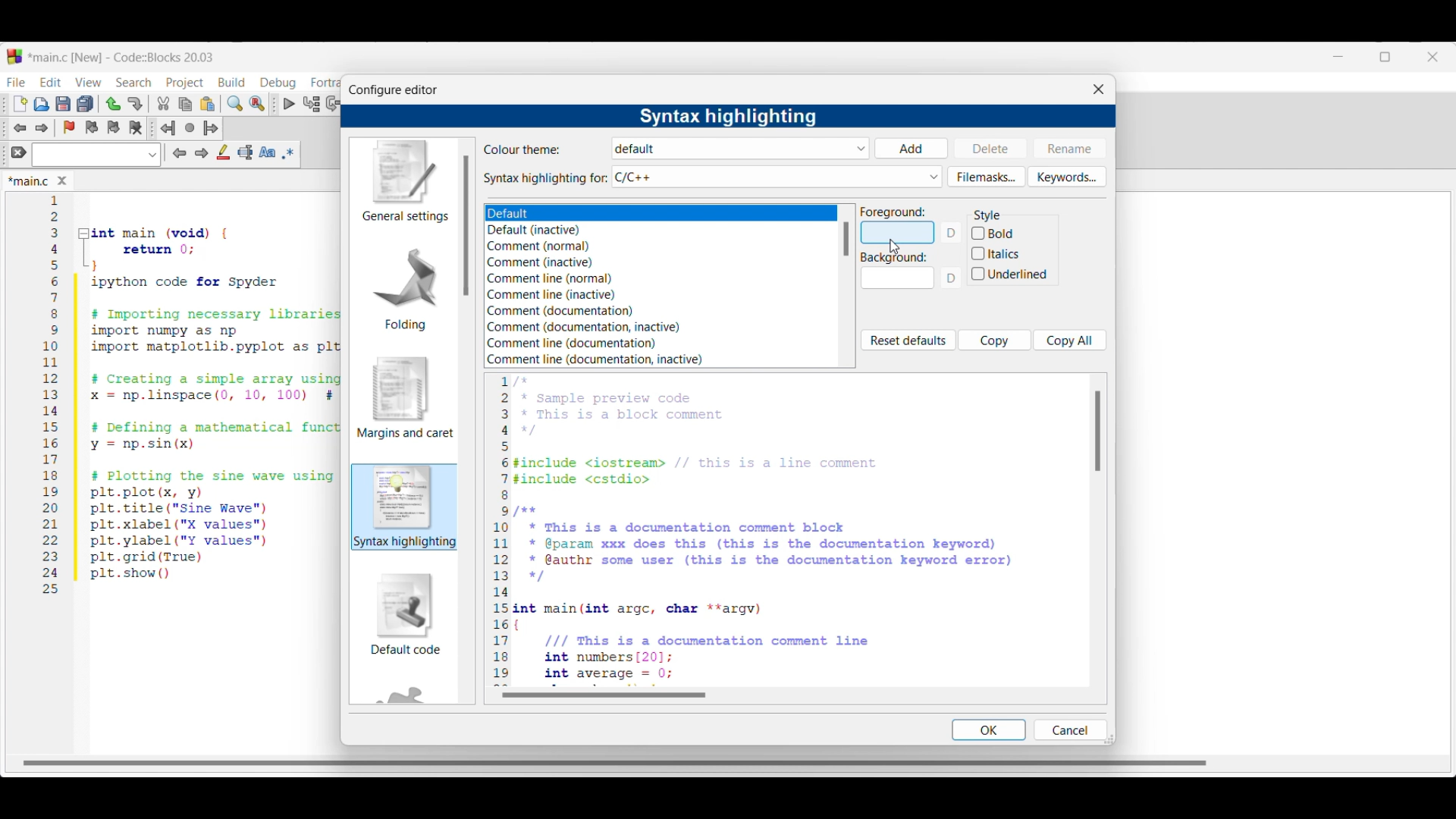 This screenshot has width=1456, height=819. I want to click on Current tab, so click(29, 182).